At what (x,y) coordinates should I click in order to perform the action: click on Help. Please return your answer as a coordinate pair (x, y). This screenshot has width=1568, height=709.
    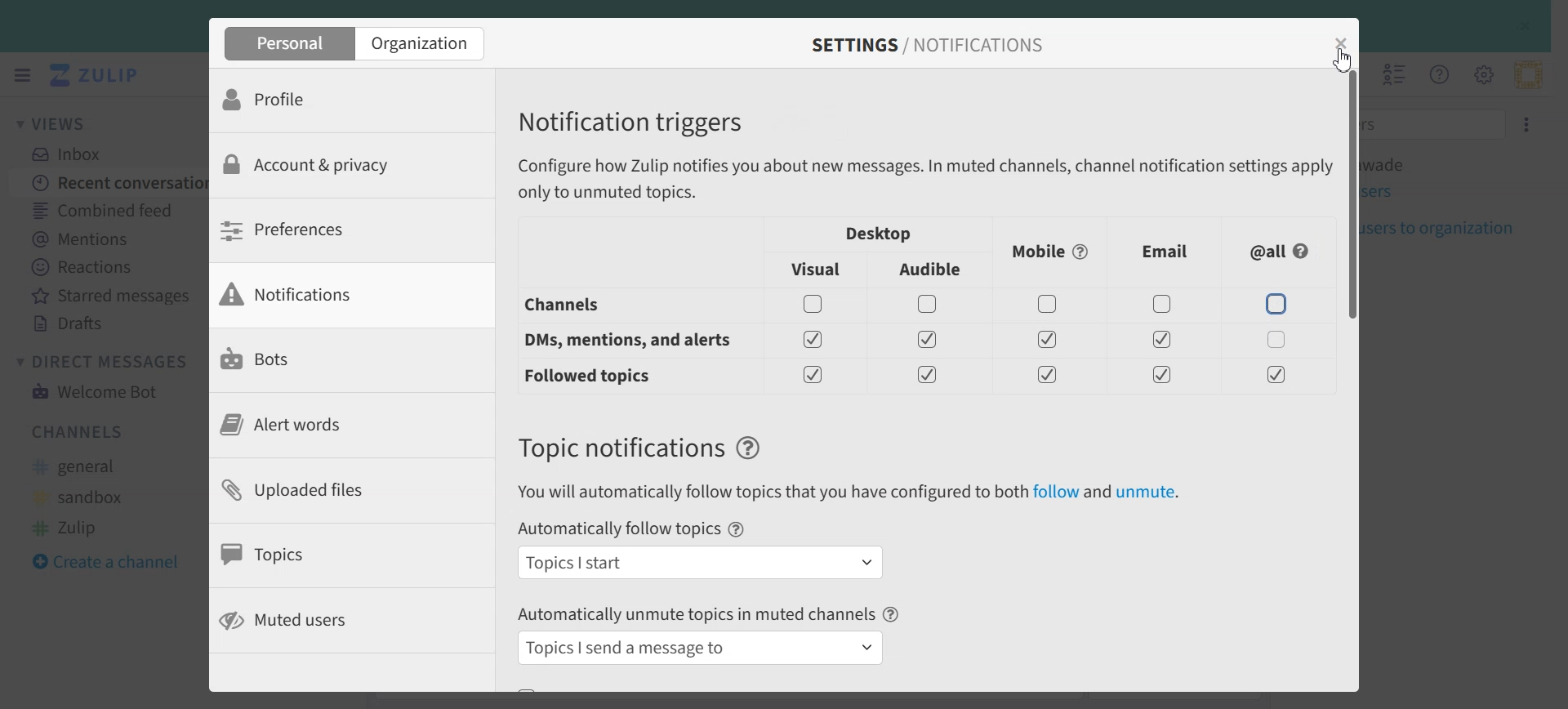
    Looking at the image, I should click on (892, 614).